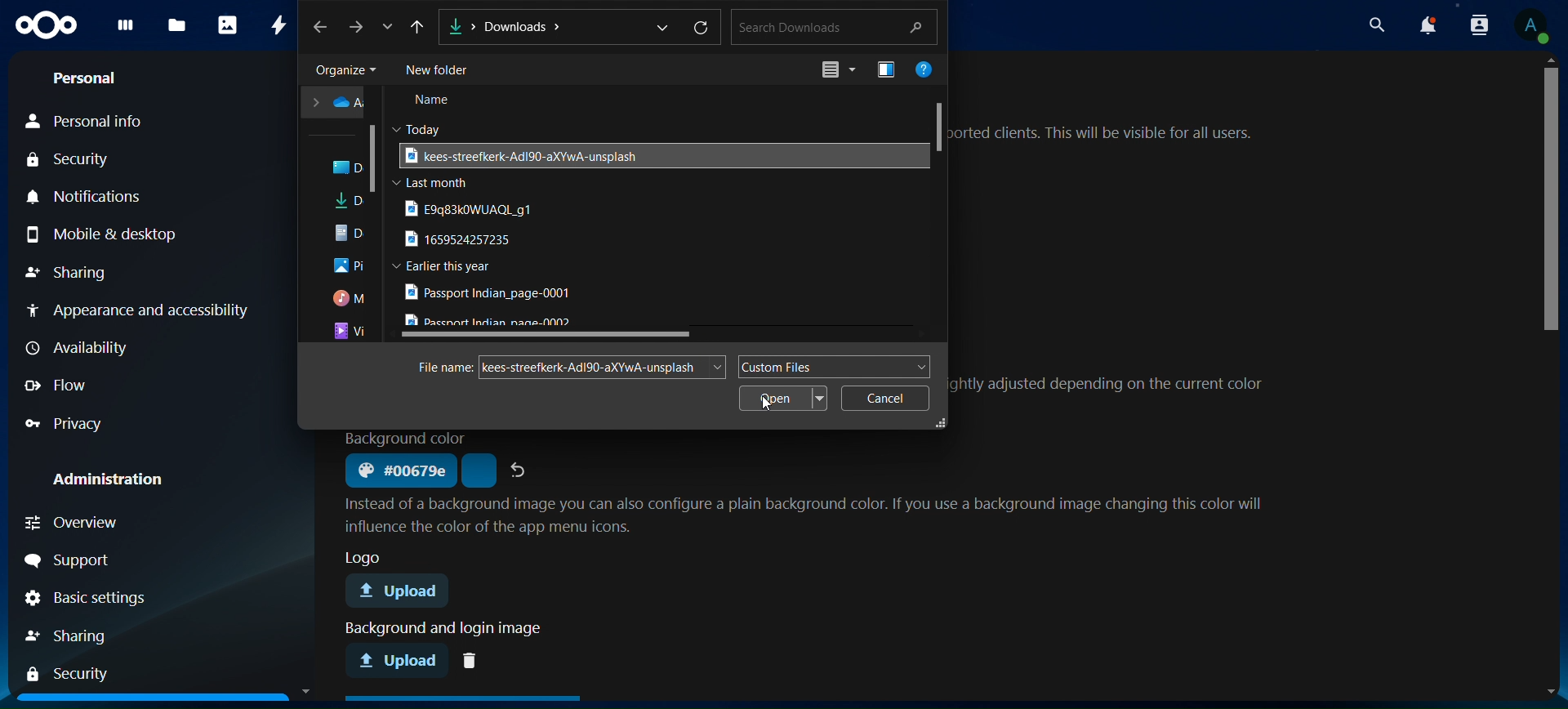 Image resolution: width=1568 pixels, height=709 pixels. Describe the element at coordinates (80, 635) in the screenshot. I see `sharing` at that location.